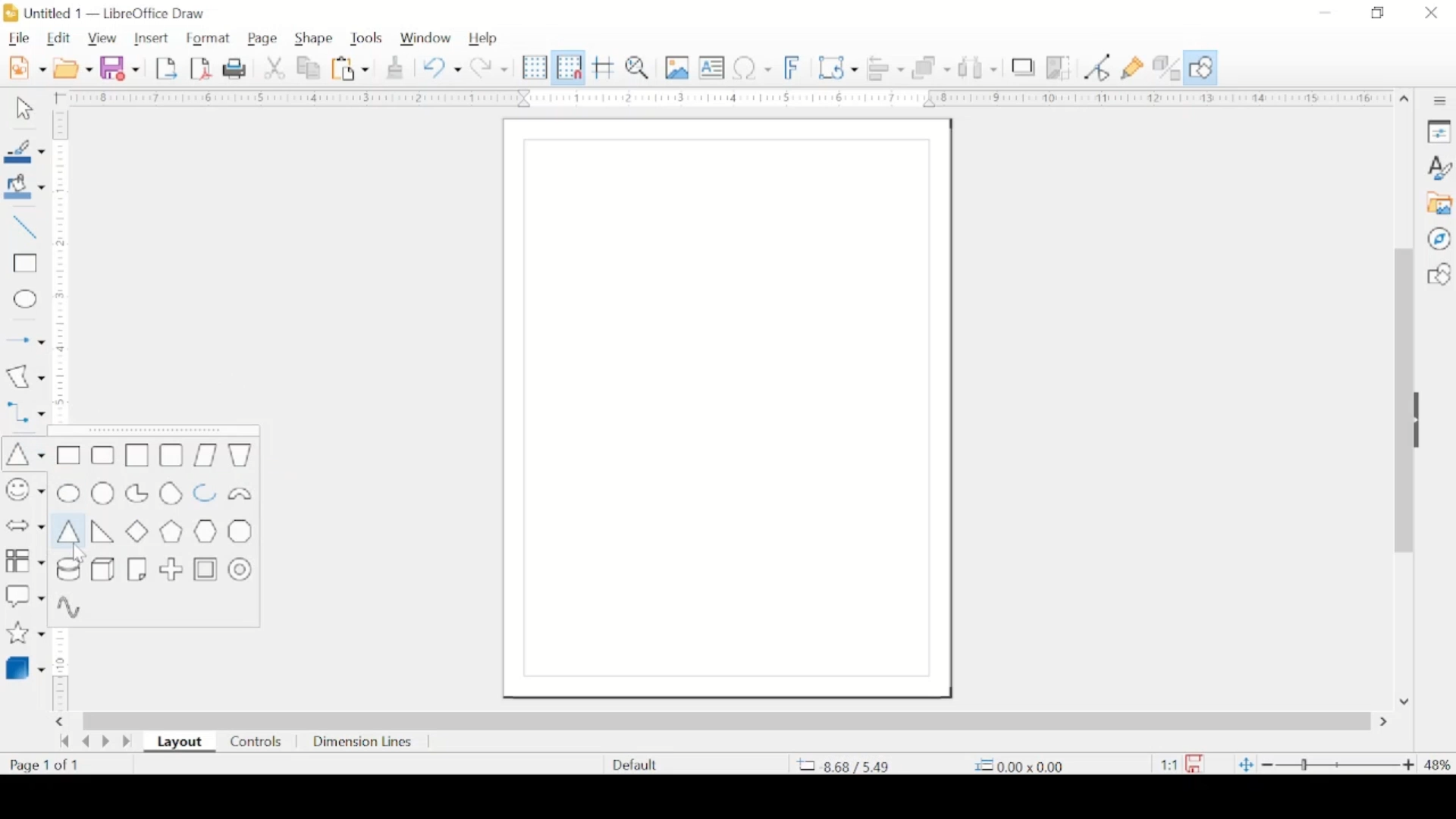 The height and width of the screenshot is (819, 1456). I want to click on properties, so click(1439, 130).